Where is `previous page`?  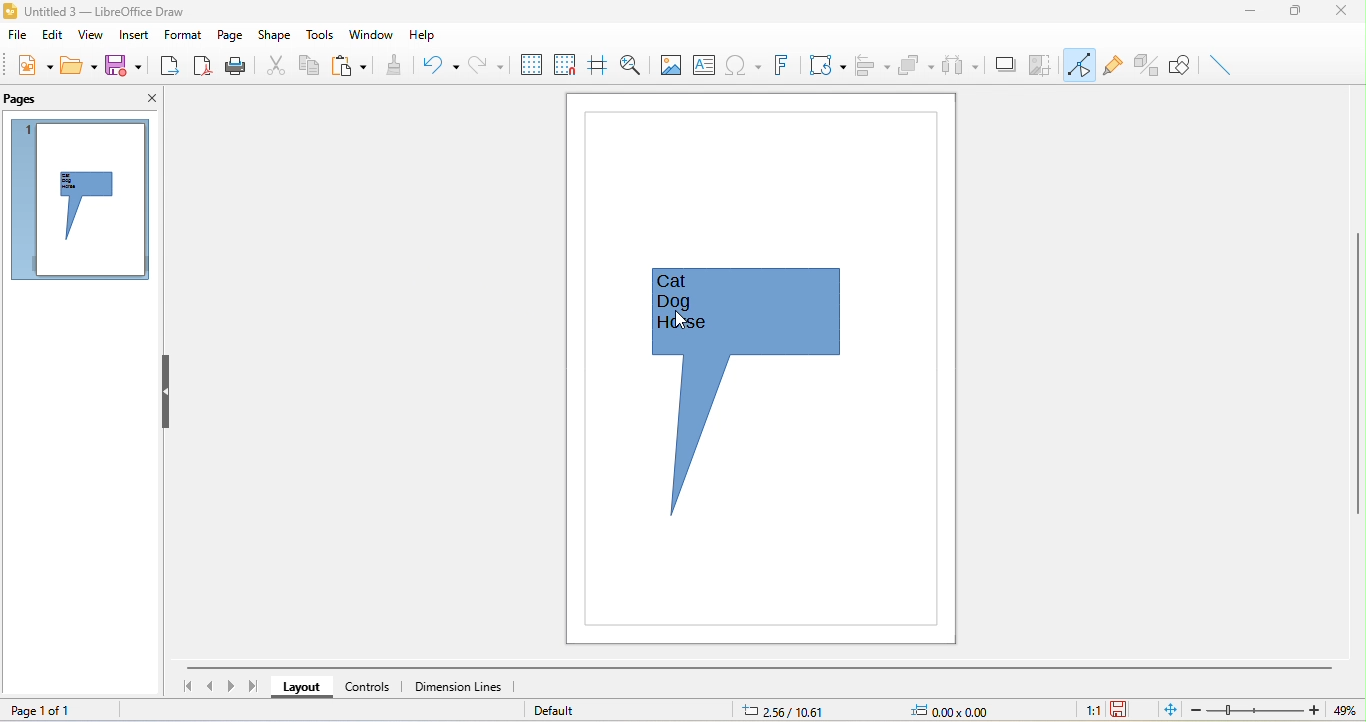 previous page is located at coordinates (214, 687).